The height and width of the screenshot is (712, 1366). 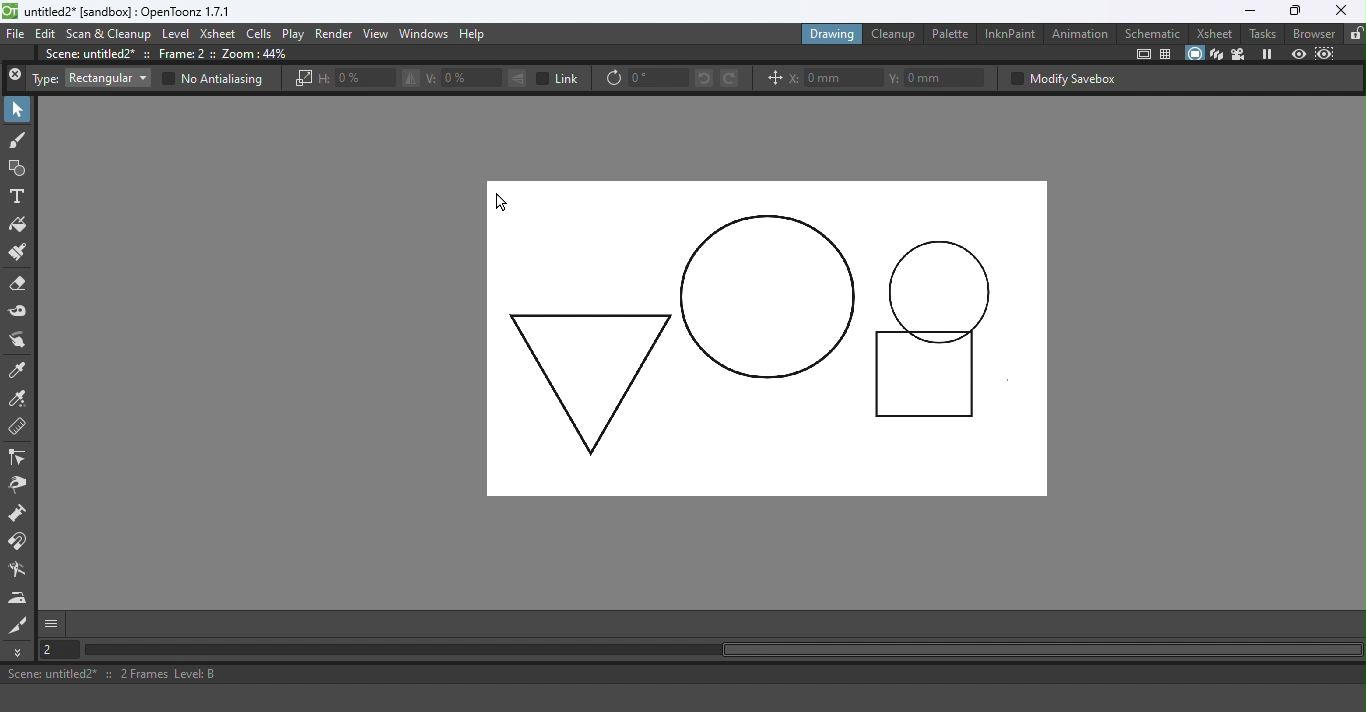 I want to click on No Antialiasing, so click(x=211, y=79).